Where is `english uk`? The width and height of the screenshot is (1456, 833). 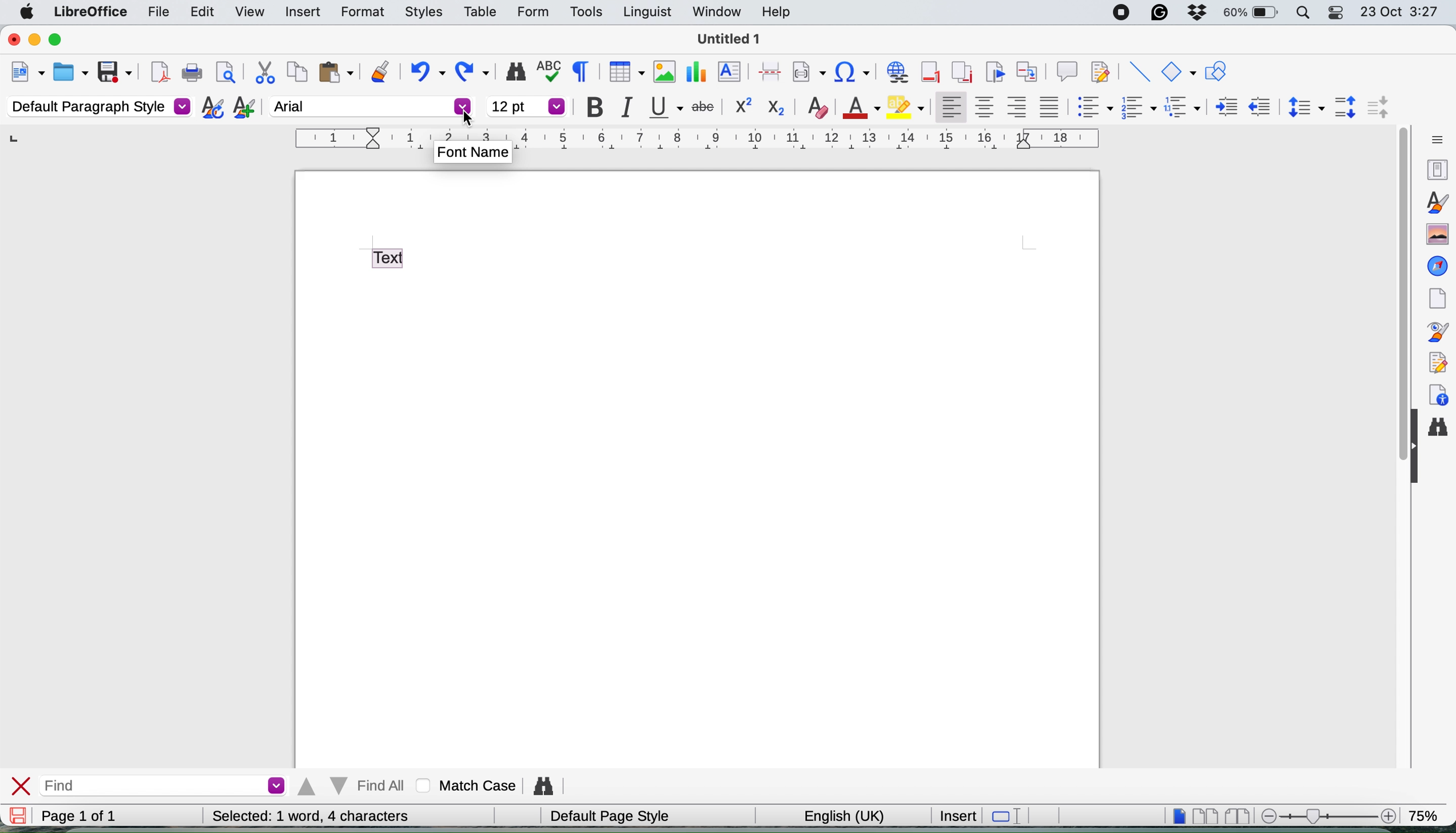 english uk is located at coordinates (837, 817).